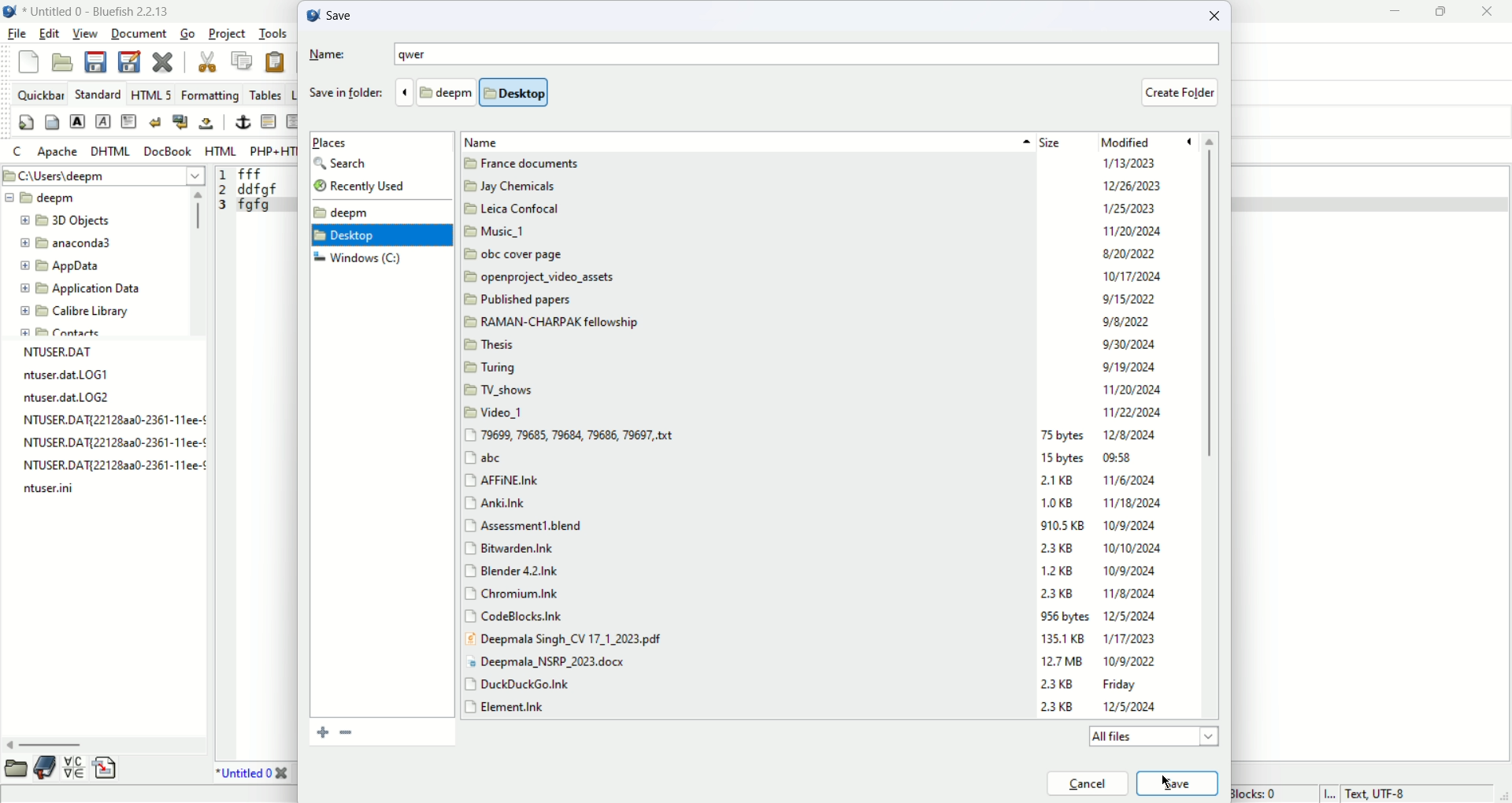 The image size is (1512, 803). Describe the element at coordinates (276, 64) in the screenshot. I see `paste` at that location.